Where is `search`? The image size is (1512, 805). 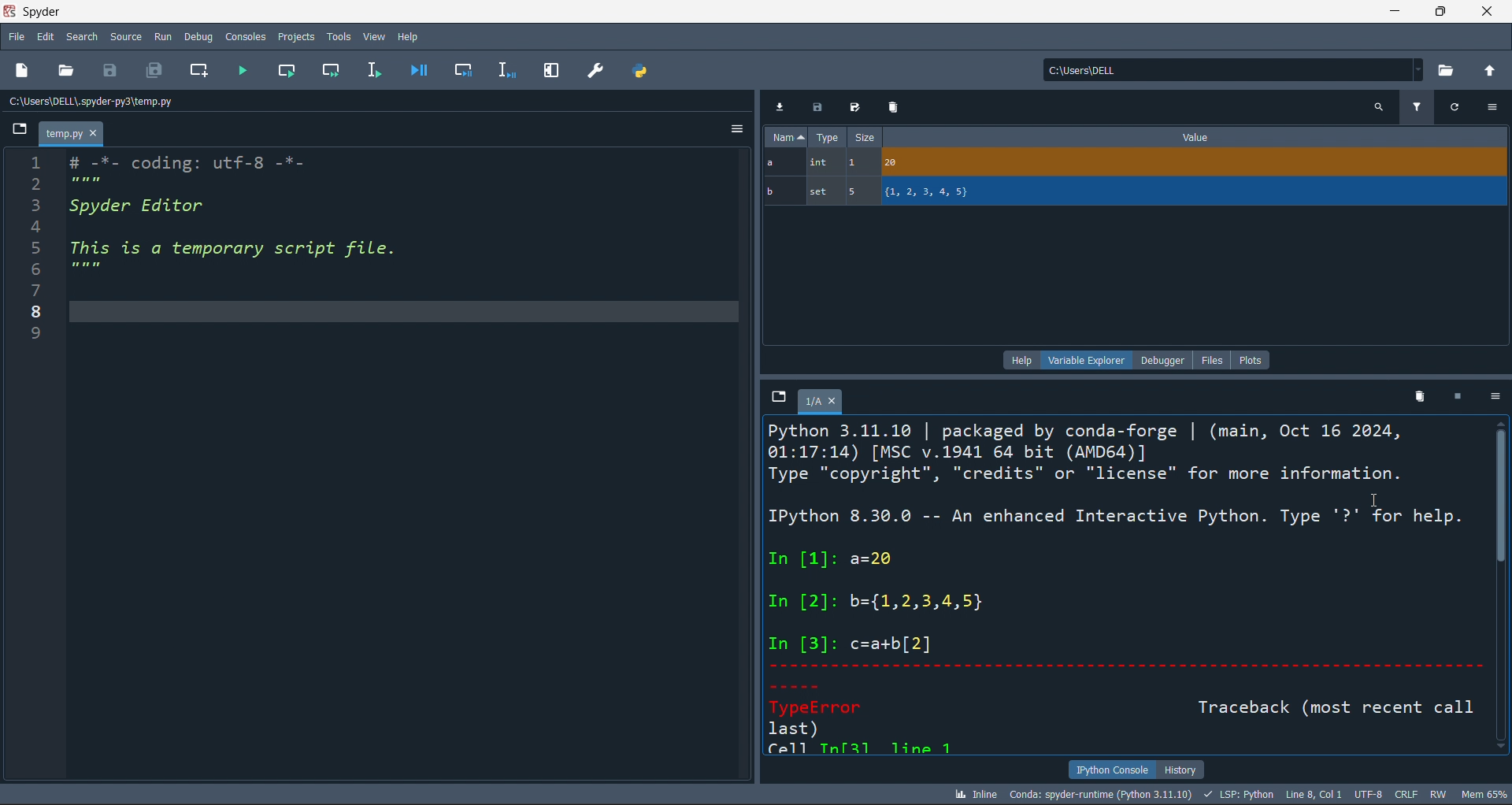 search is located at coordinates (1378, 106).